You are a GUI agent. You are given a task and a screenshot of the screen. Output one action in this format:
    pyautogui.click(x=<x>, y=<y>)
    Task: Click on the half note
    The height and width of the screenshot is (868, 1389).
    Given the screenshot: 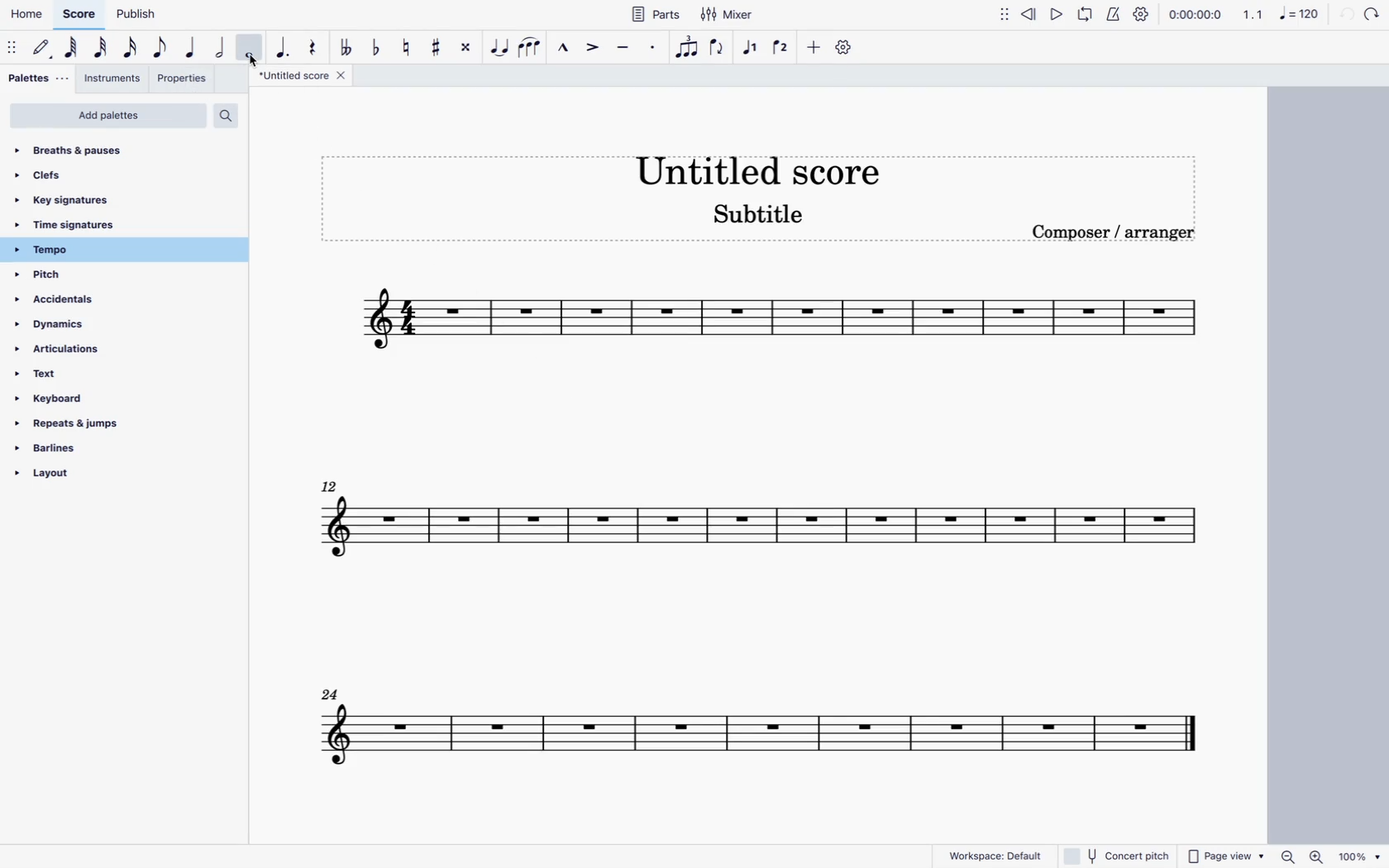 What is the action you would take?
    pyautogui.click(x=219, y=47)
    